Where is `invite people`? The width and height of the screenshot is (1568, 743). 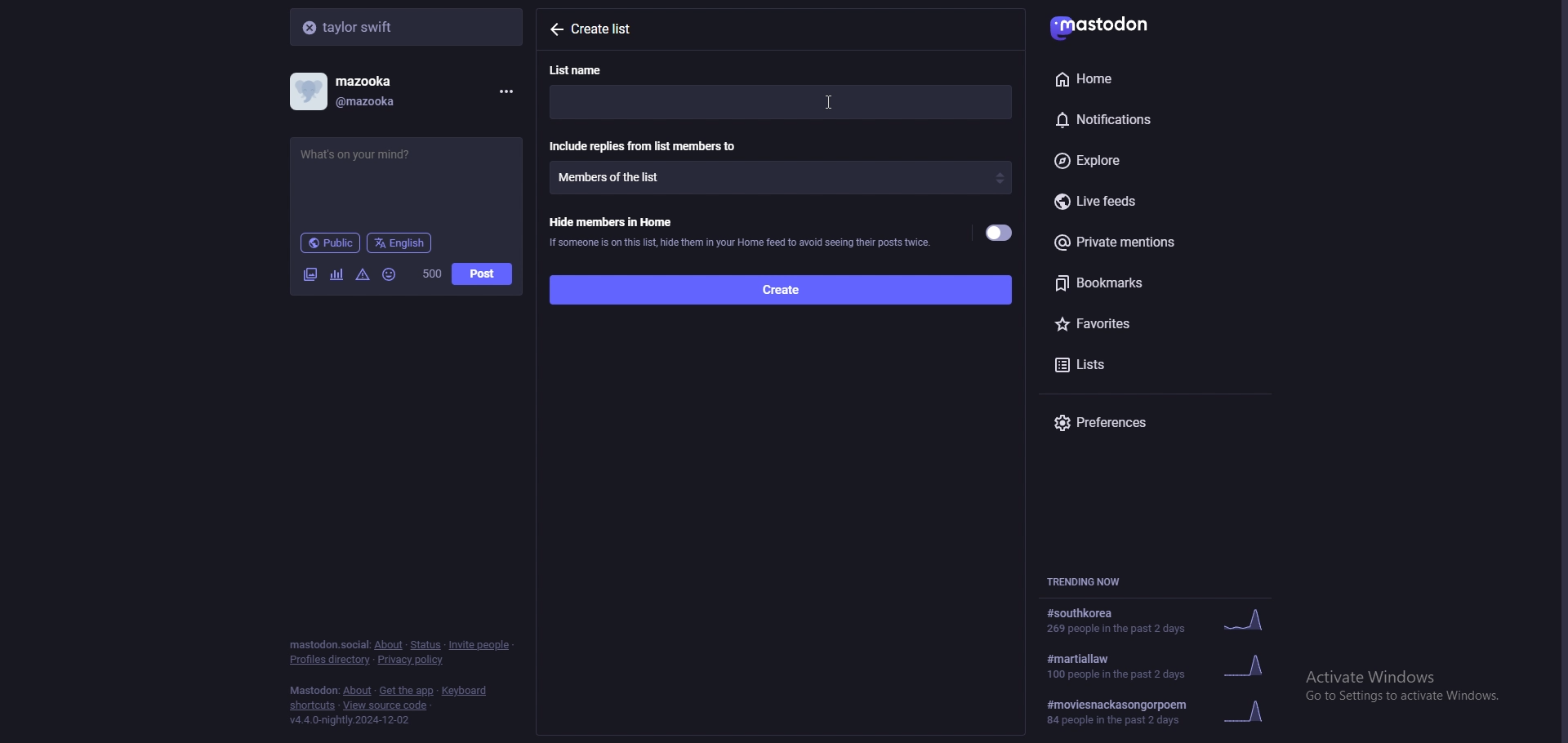
invite people is located at coordinates (480, 644).